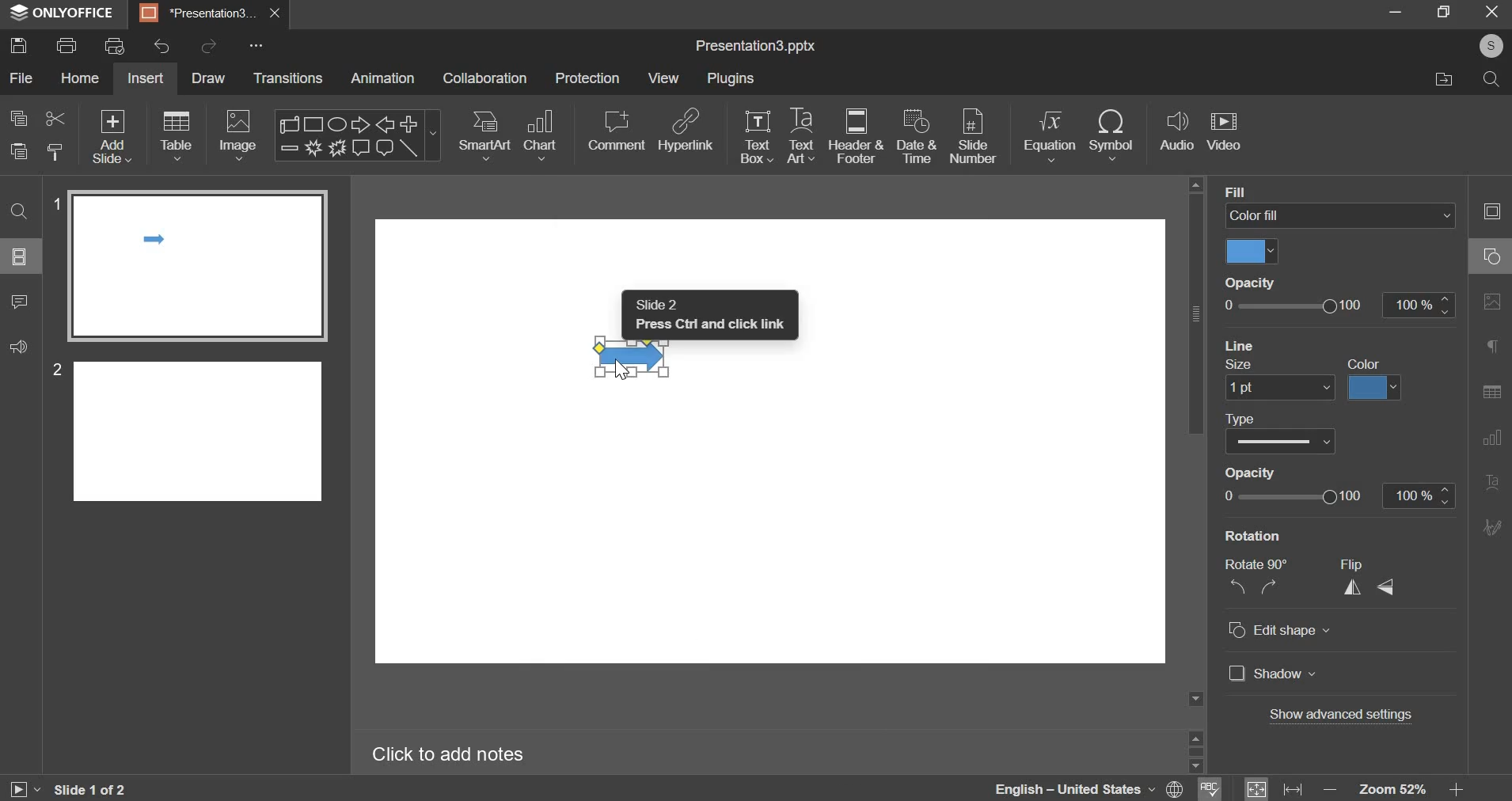 The width and height of the screenshot is (1512, 801). Describe the element at coordinates (1419, 496) in the screenshot. I see `increase/decrease opacity` at that location.